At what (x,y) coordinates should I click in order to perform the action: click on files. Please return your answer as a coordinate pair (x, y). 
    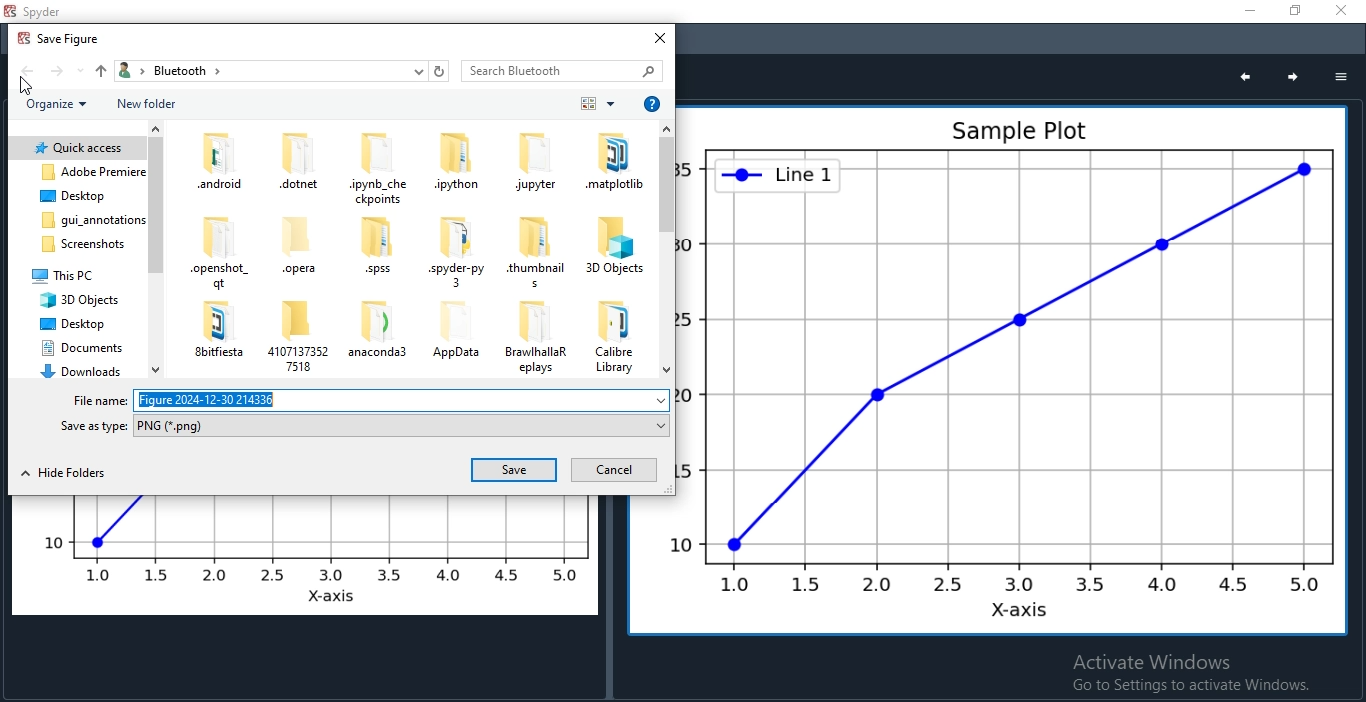
    Looking at the image, I should click on (615, 337).